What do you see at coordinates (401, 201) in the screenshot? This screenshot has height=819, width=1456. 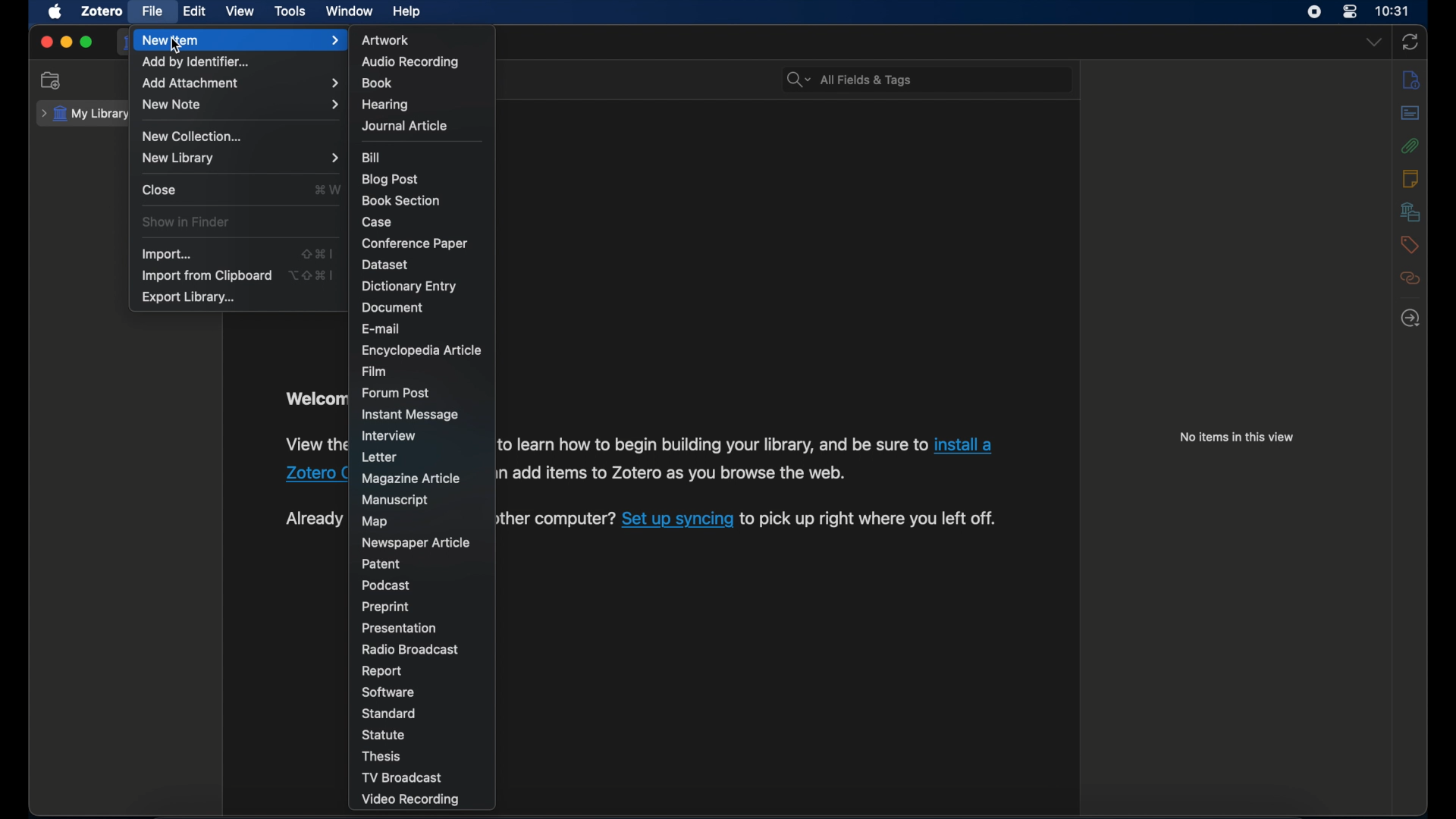 I see `book section` at bounding box center [401, 201].